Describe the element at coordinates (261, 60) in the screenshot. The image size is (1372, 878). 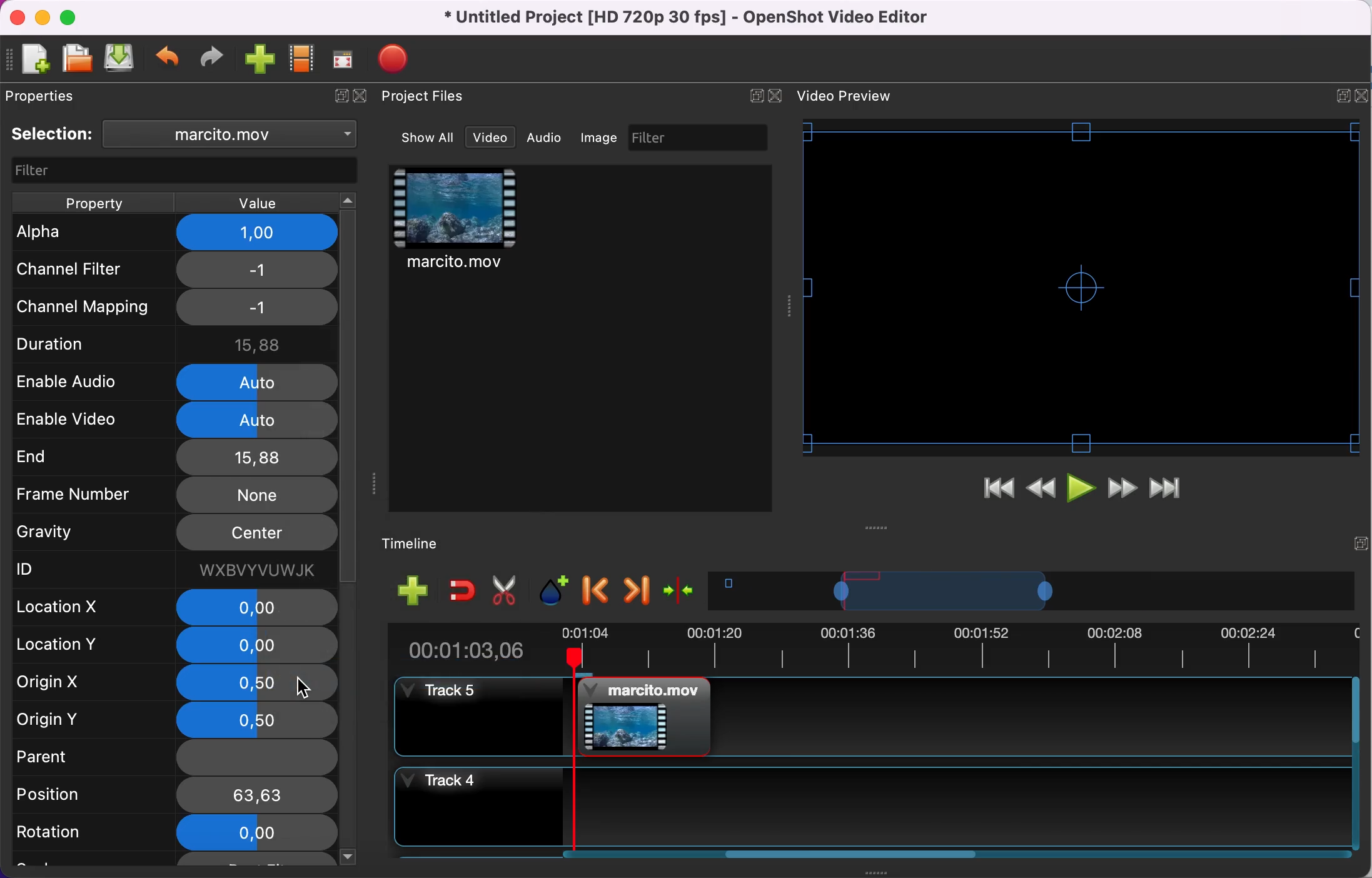
I see `import file` at that location.